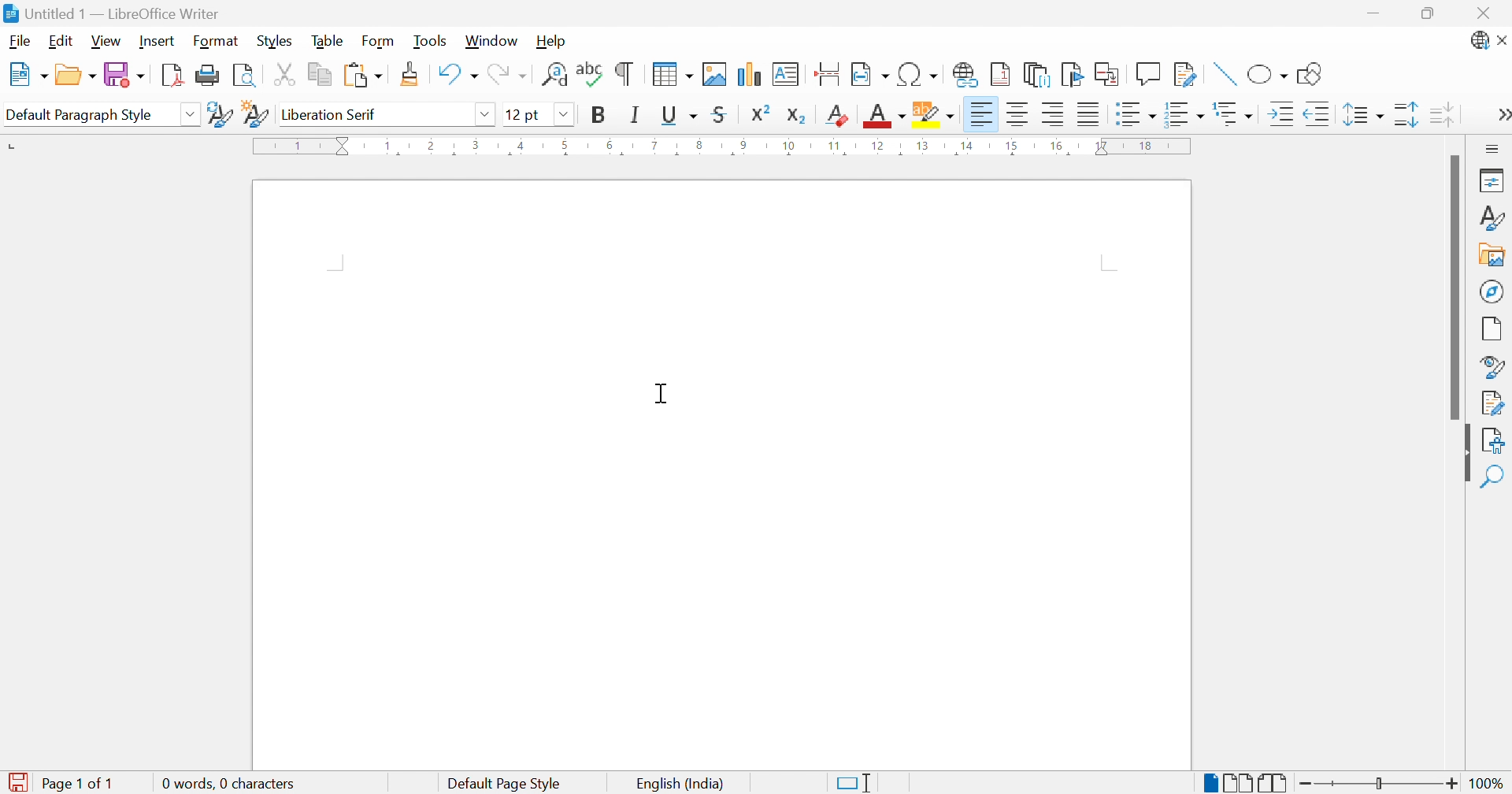 The height and width of the screenshot is (794, 1512). I want to click on Style inspector, so click(1492, 368).